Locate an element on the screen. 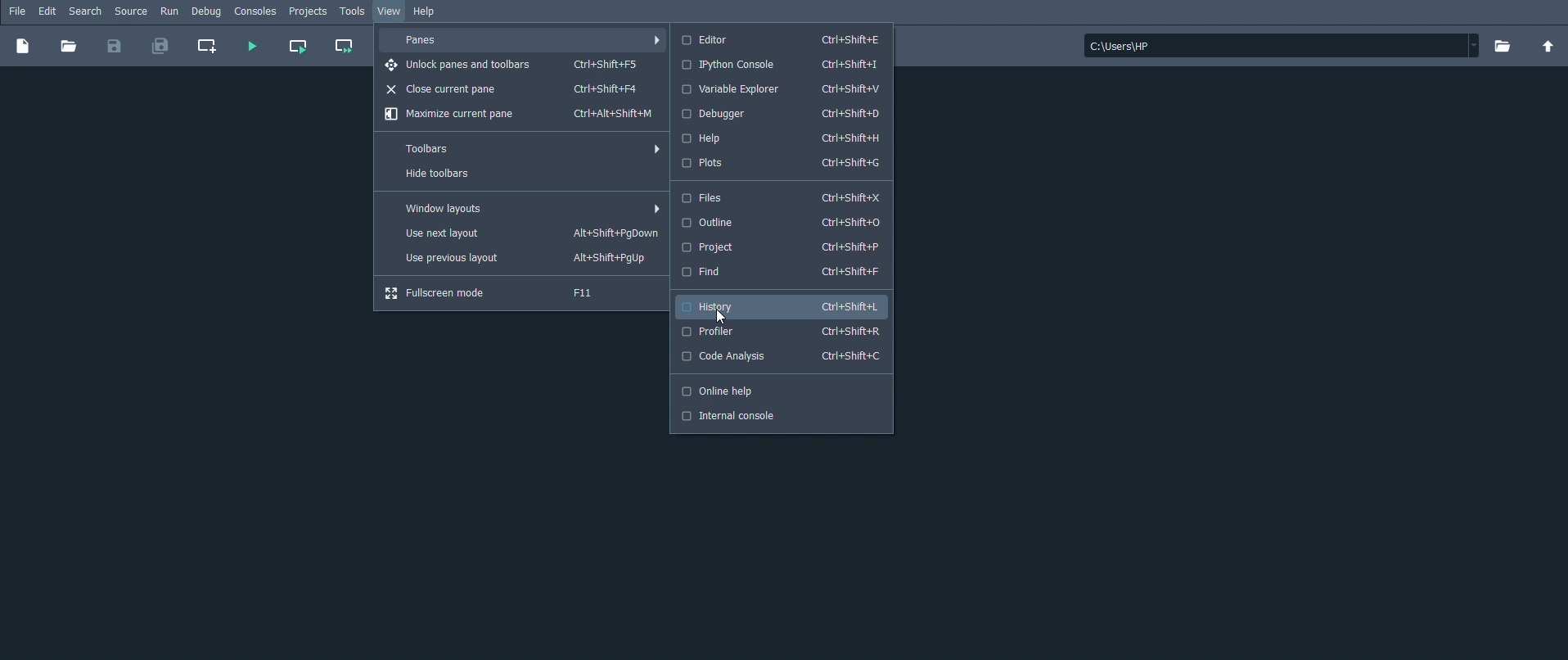 The image size is (1568, 660). Plots is located at coordinates (786, 163).